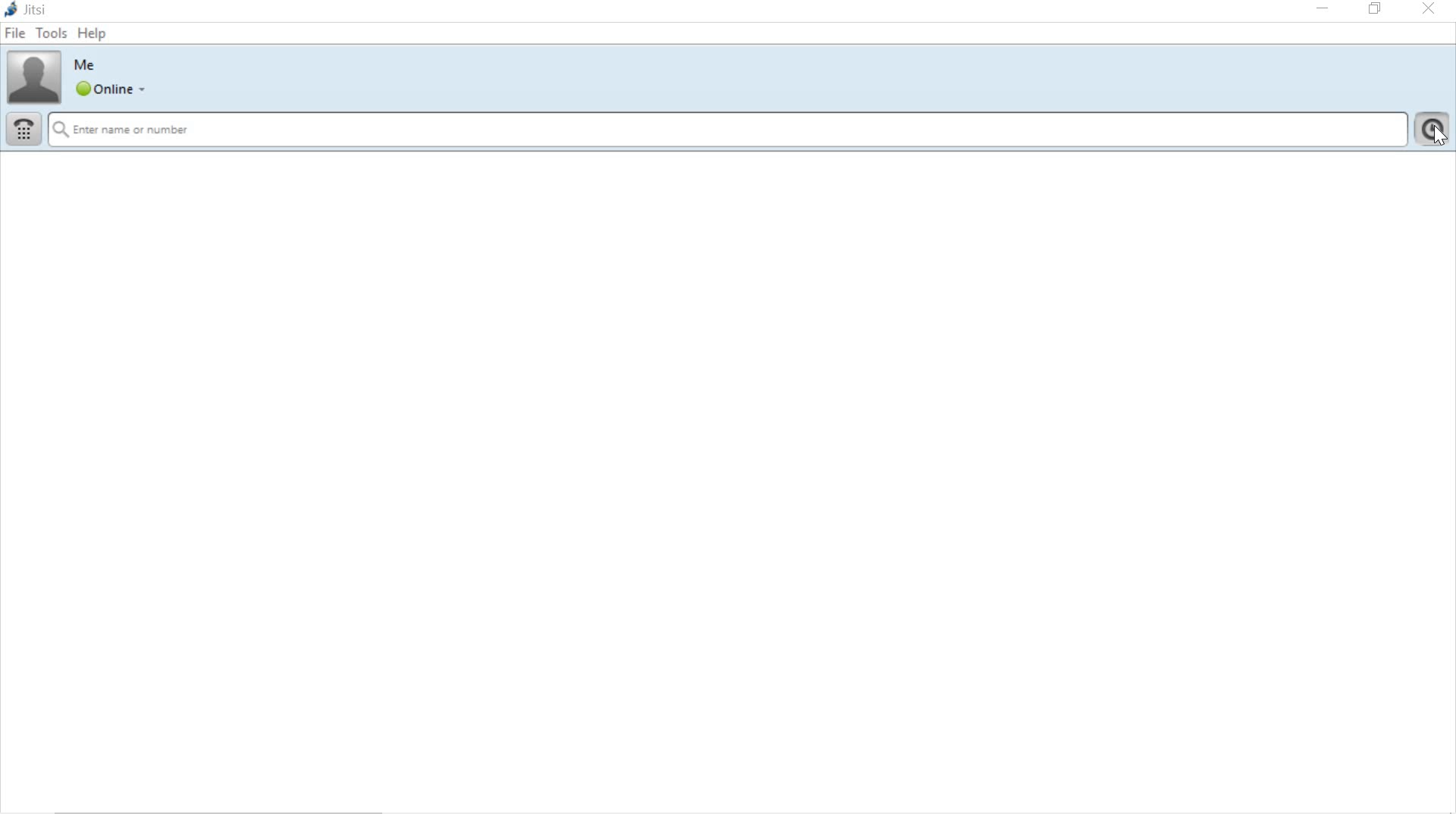 Image resolution: width=1456 pixels, height=814 pixels. I want to click on close, so click(1430, 10).